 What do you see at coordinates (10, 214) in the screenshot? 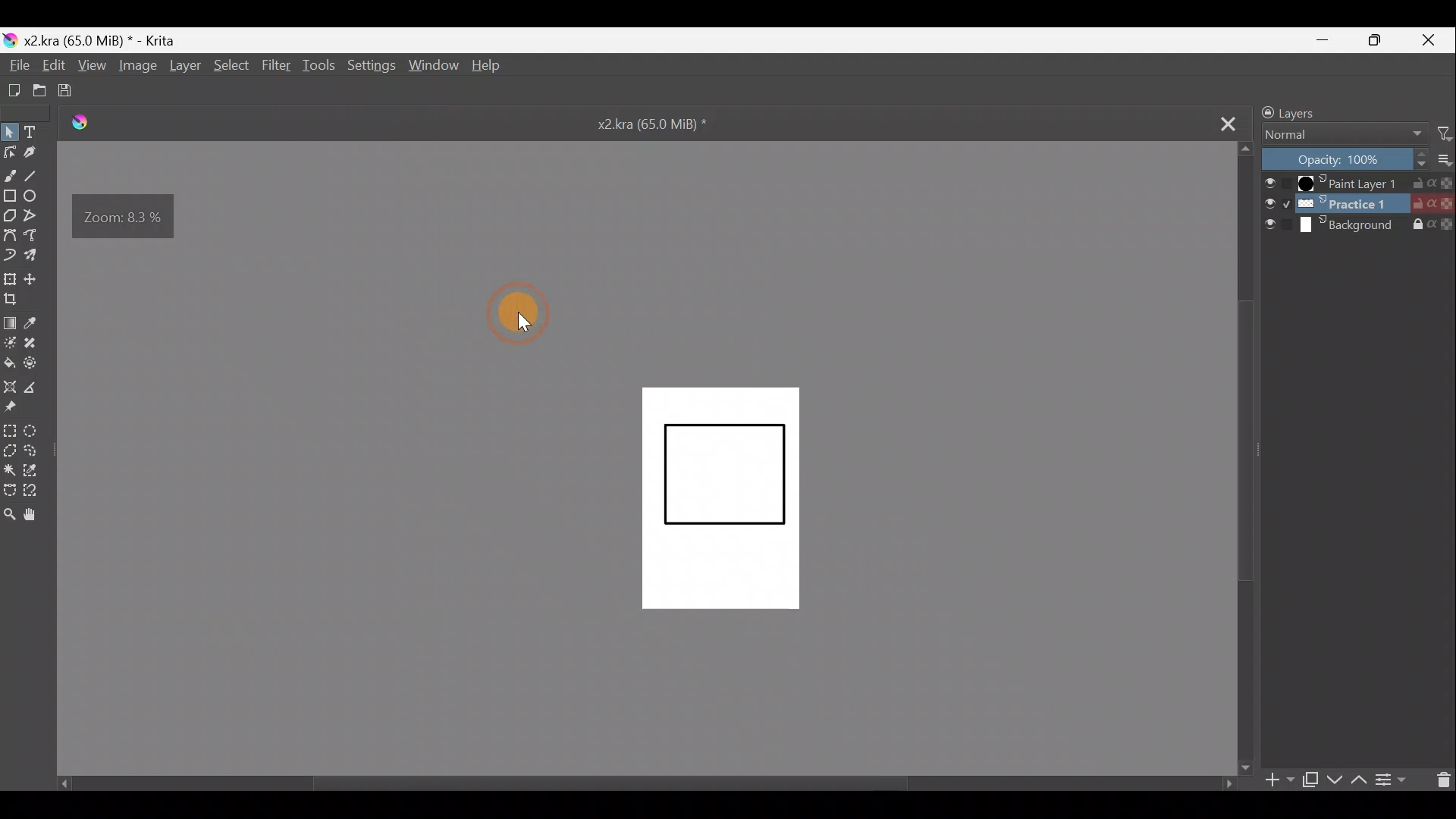
I see `Polygon tool` at bounding box center [10, 214].